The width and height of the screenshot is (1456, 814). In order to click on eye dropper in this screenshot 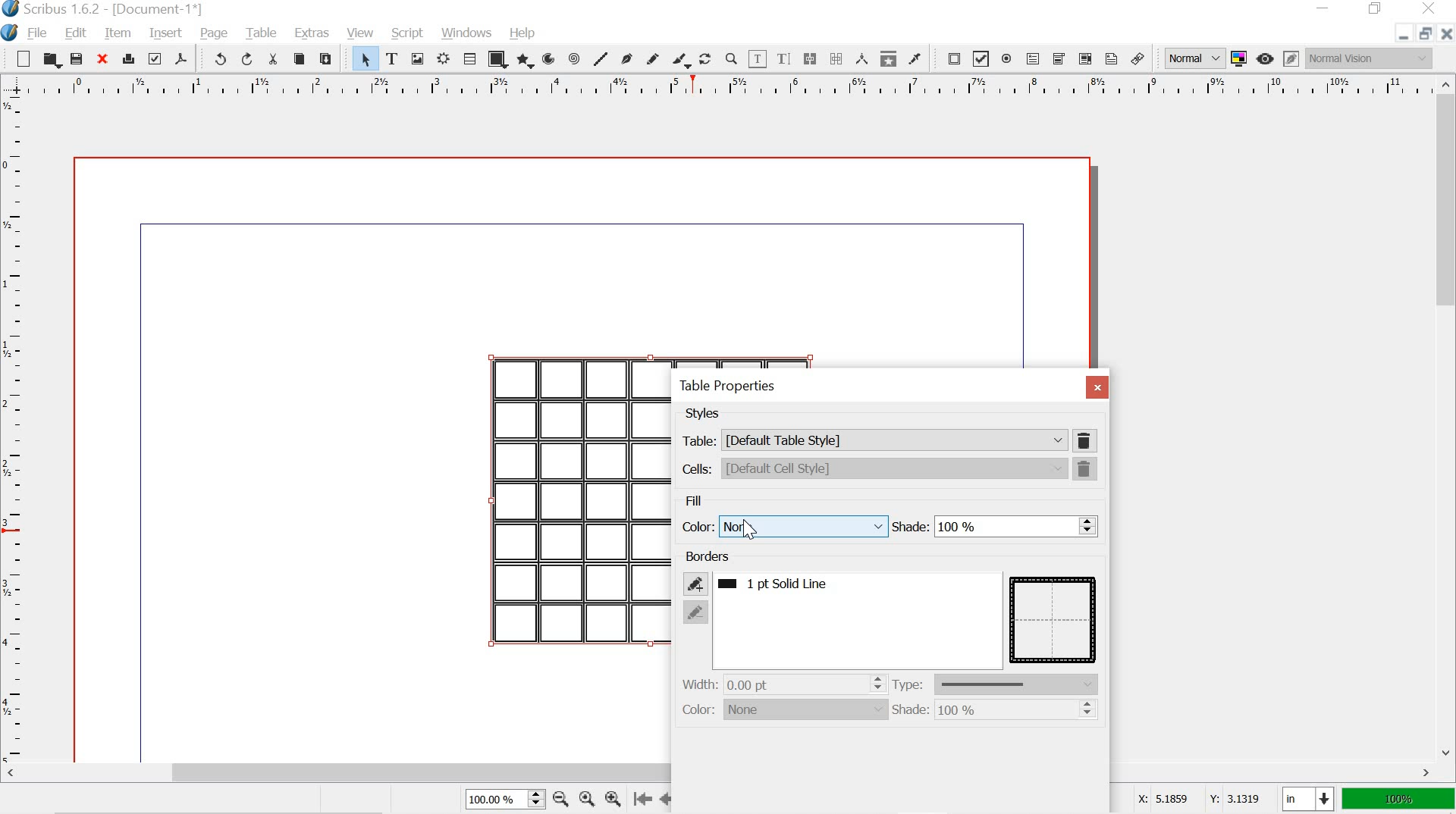, I will do `click(915, 58)`.